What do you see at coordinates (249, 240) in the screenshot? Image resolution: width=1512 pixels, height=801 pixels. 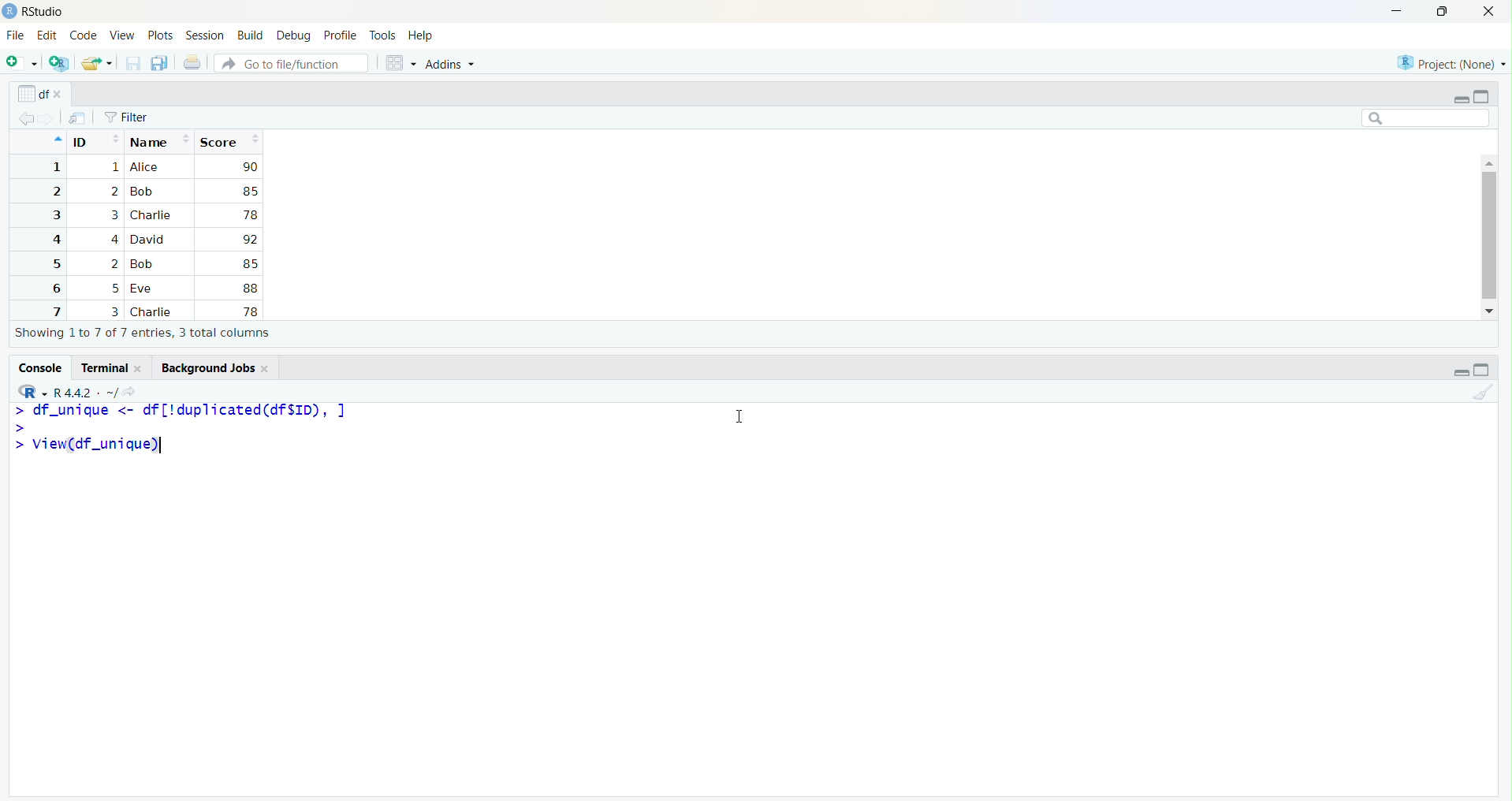 I see `92` at bounding box center [249, 240].